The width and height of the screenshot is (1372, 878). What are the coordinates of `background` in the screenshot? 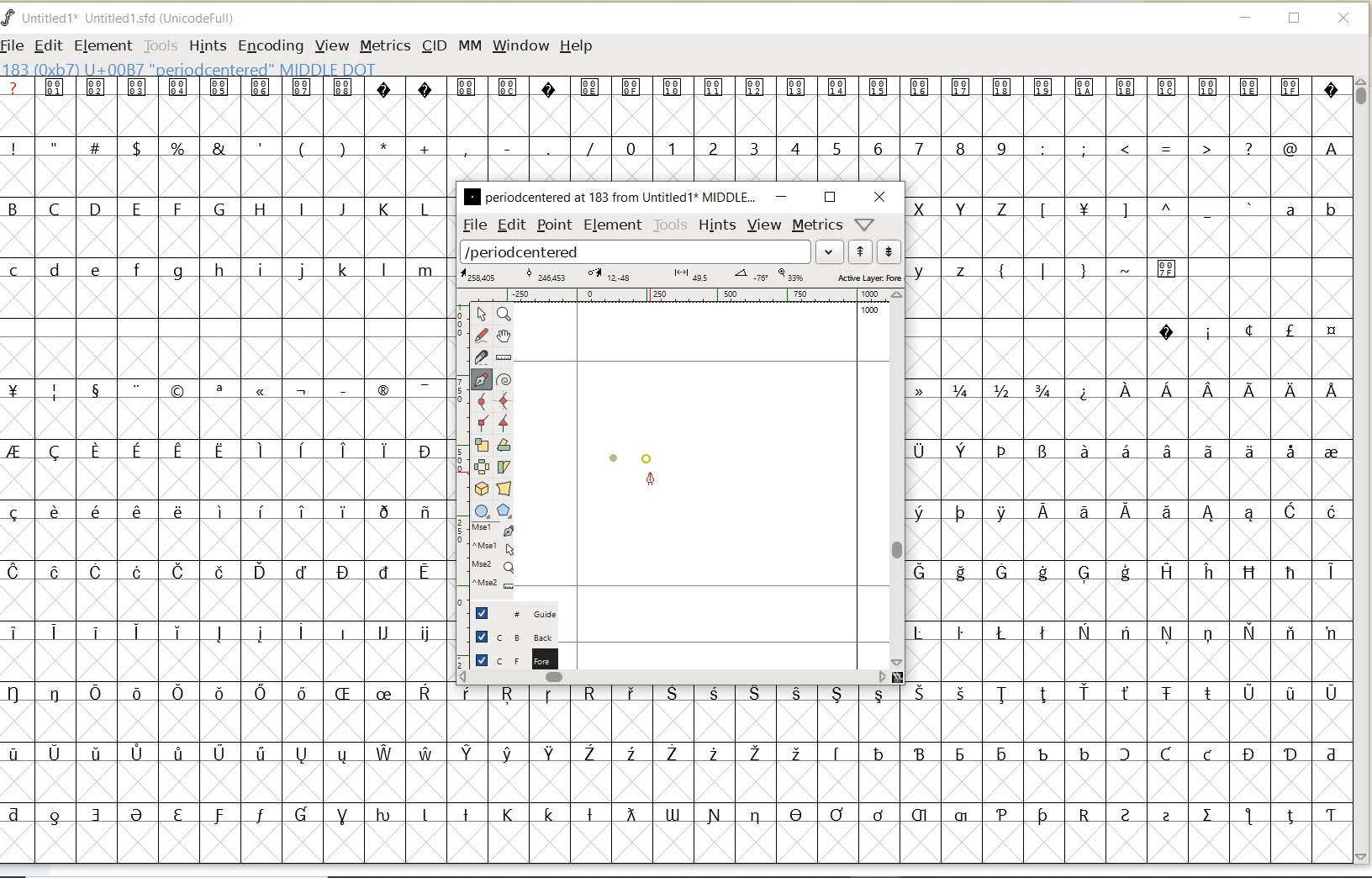 It's located at (509, 637).